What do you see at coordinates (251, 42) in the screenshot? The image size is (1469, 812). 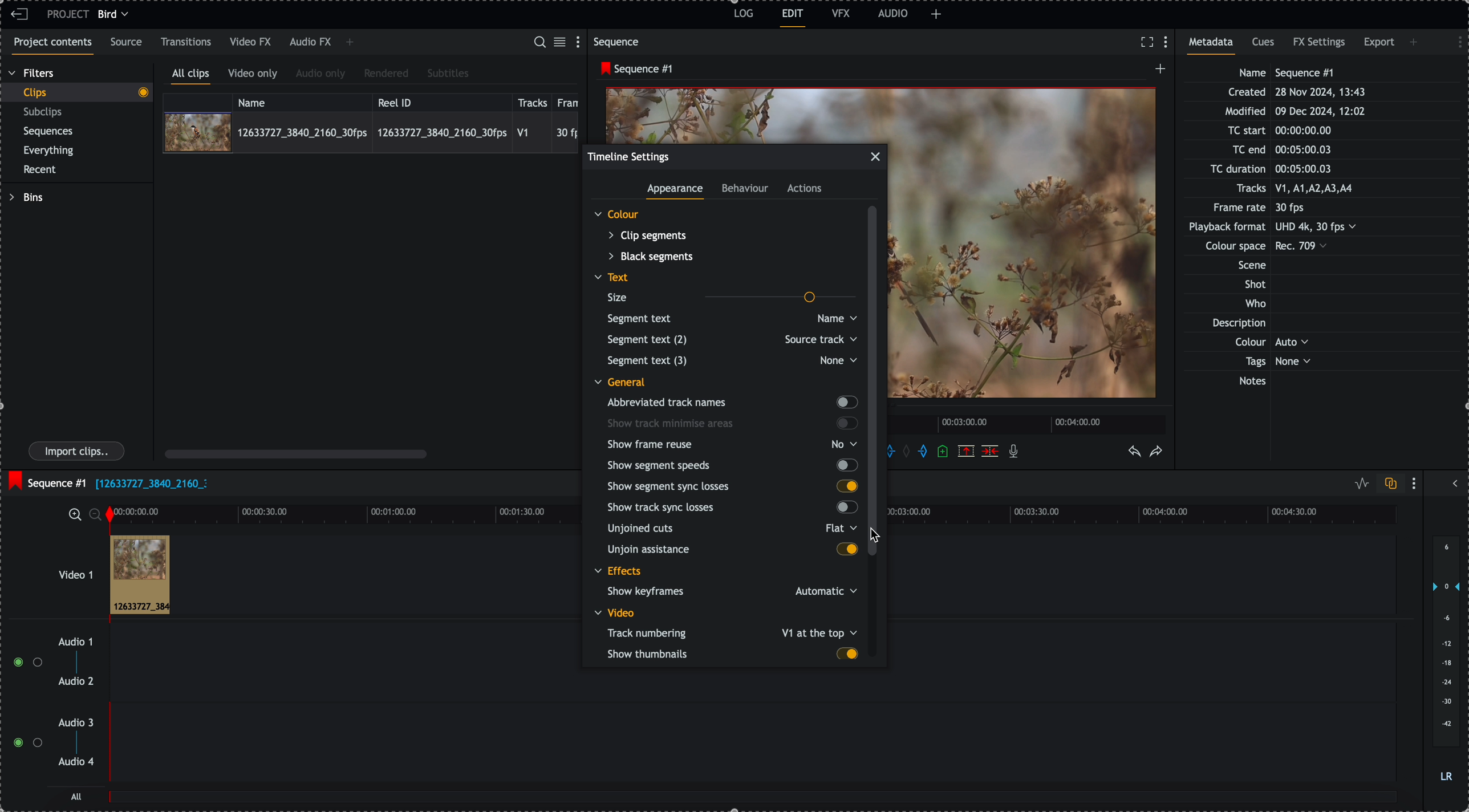 I see `video FX` at bounding box center [251, 42].